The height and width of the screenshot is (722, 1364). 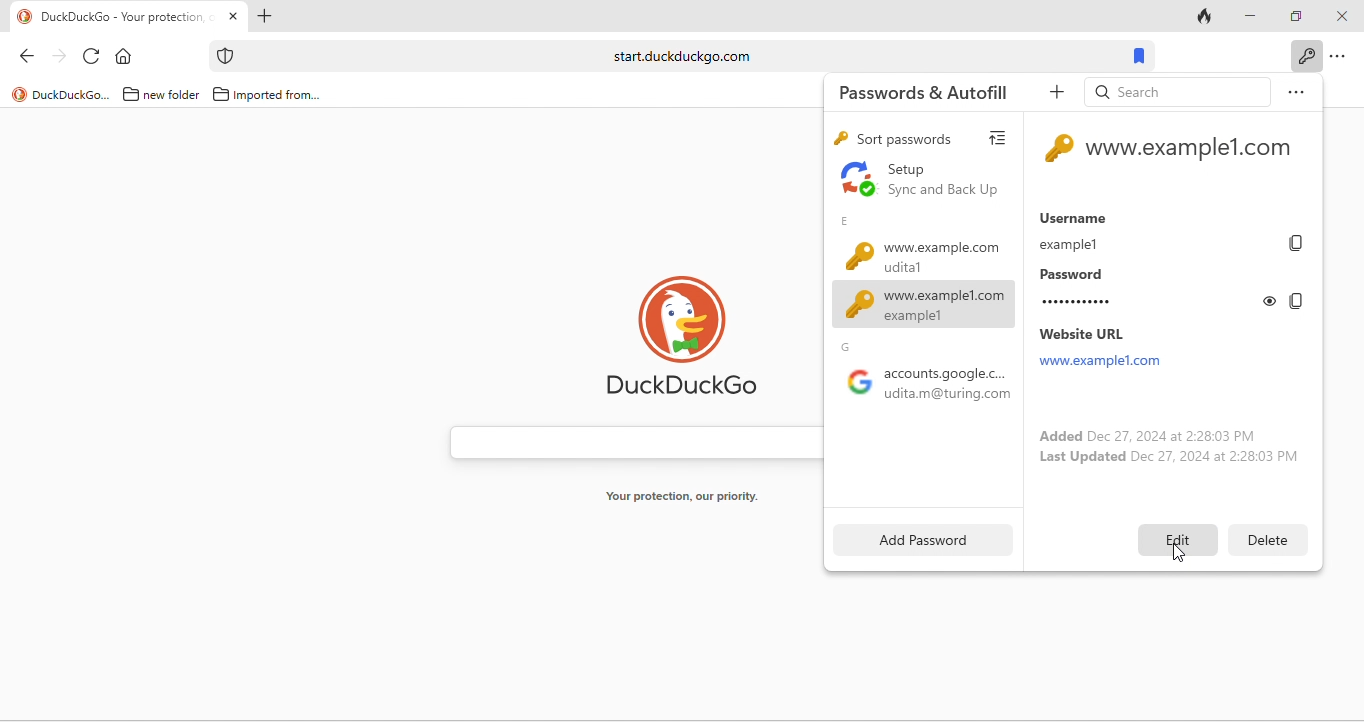 What do you see at coordinates (279, 96) in the screenshot?
I see `imported from` at bounding box center [279, 96].